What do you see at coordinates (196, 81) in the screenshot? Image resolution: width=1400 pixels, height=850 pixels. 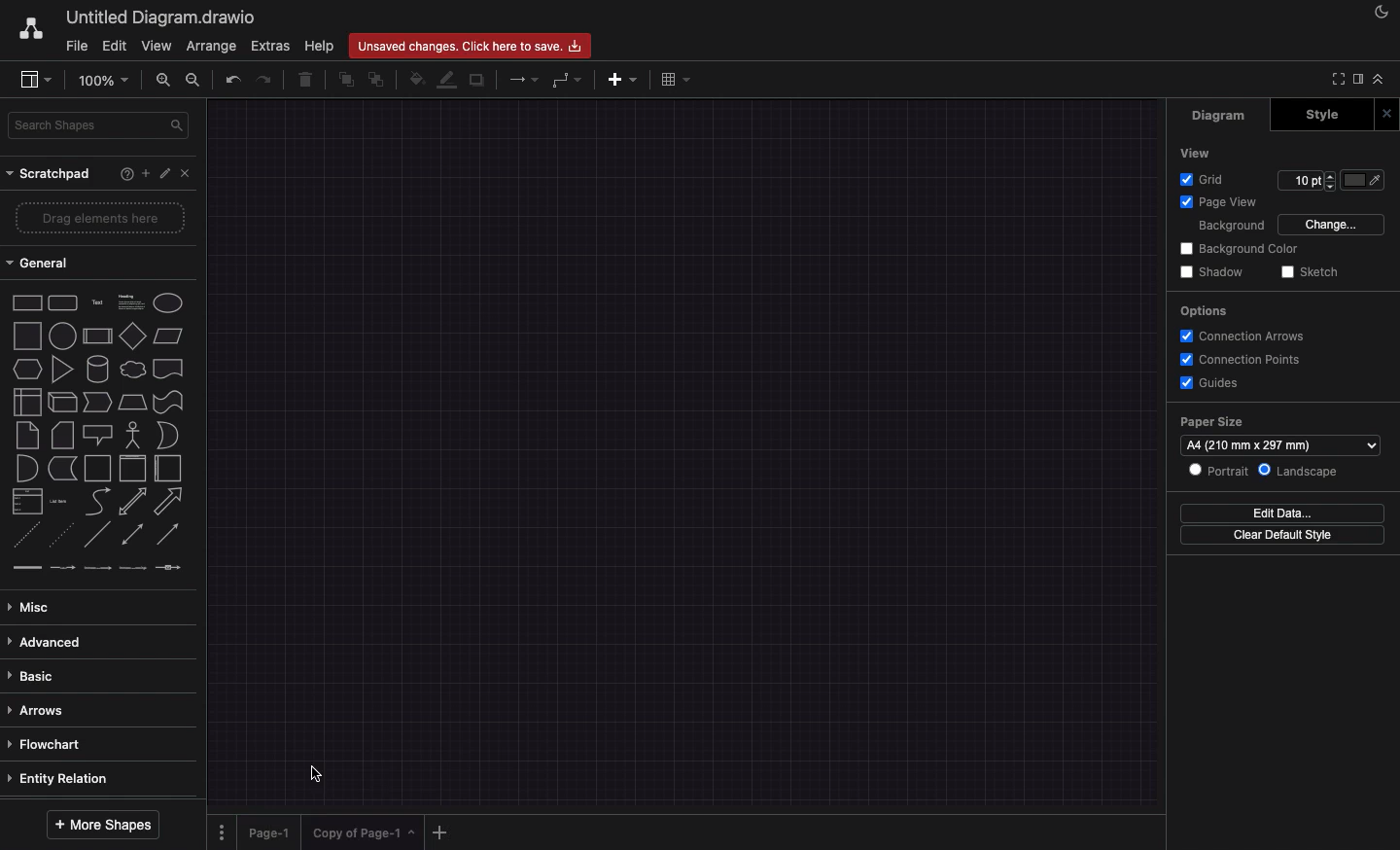 I see `zoom out` at bounding box center [196, 81].